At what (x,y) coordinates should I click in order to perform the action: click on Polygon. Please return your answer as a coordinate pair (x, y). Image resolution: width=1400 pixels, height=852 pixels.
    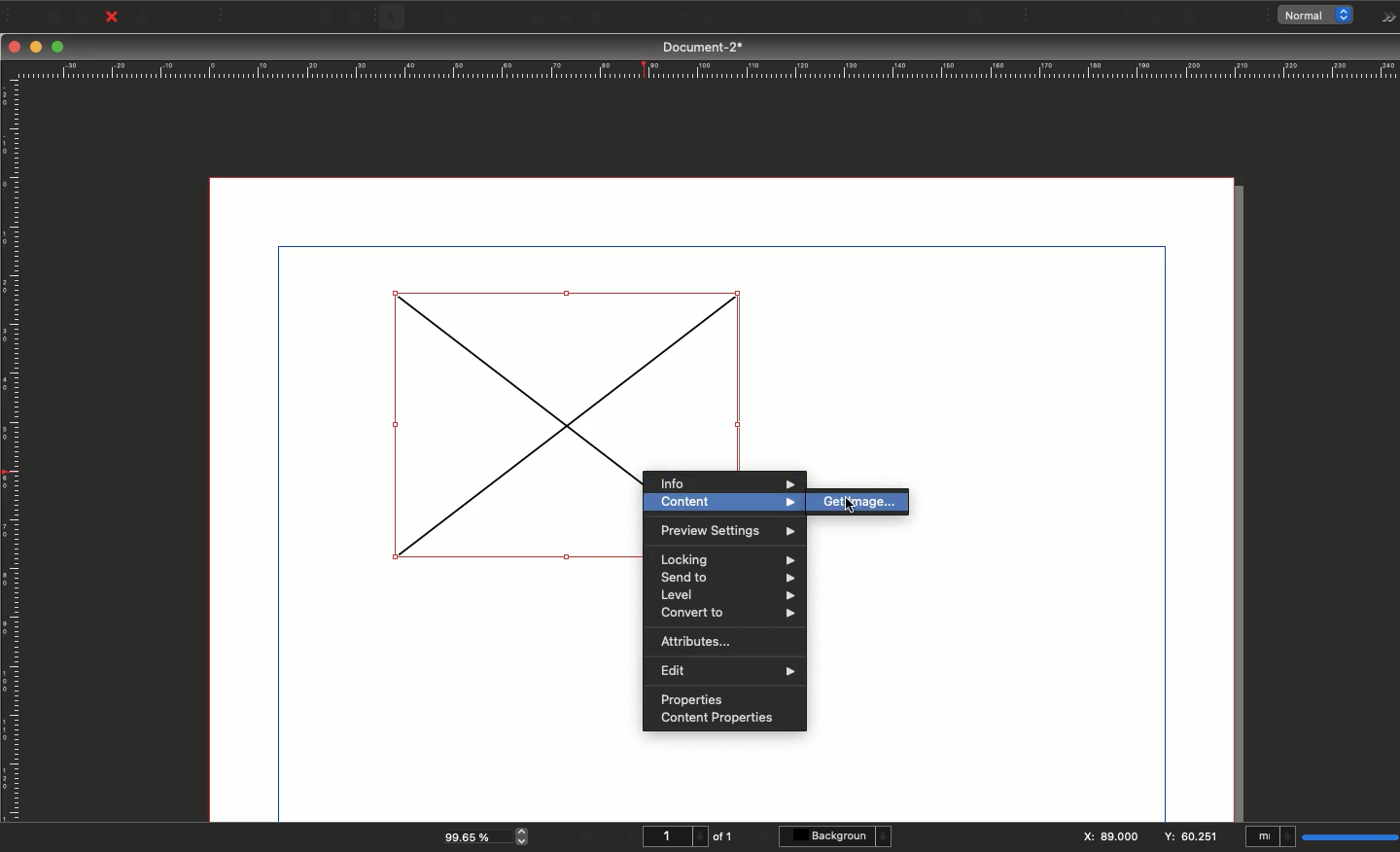
    Looking at the image, I should click on (567, 18).